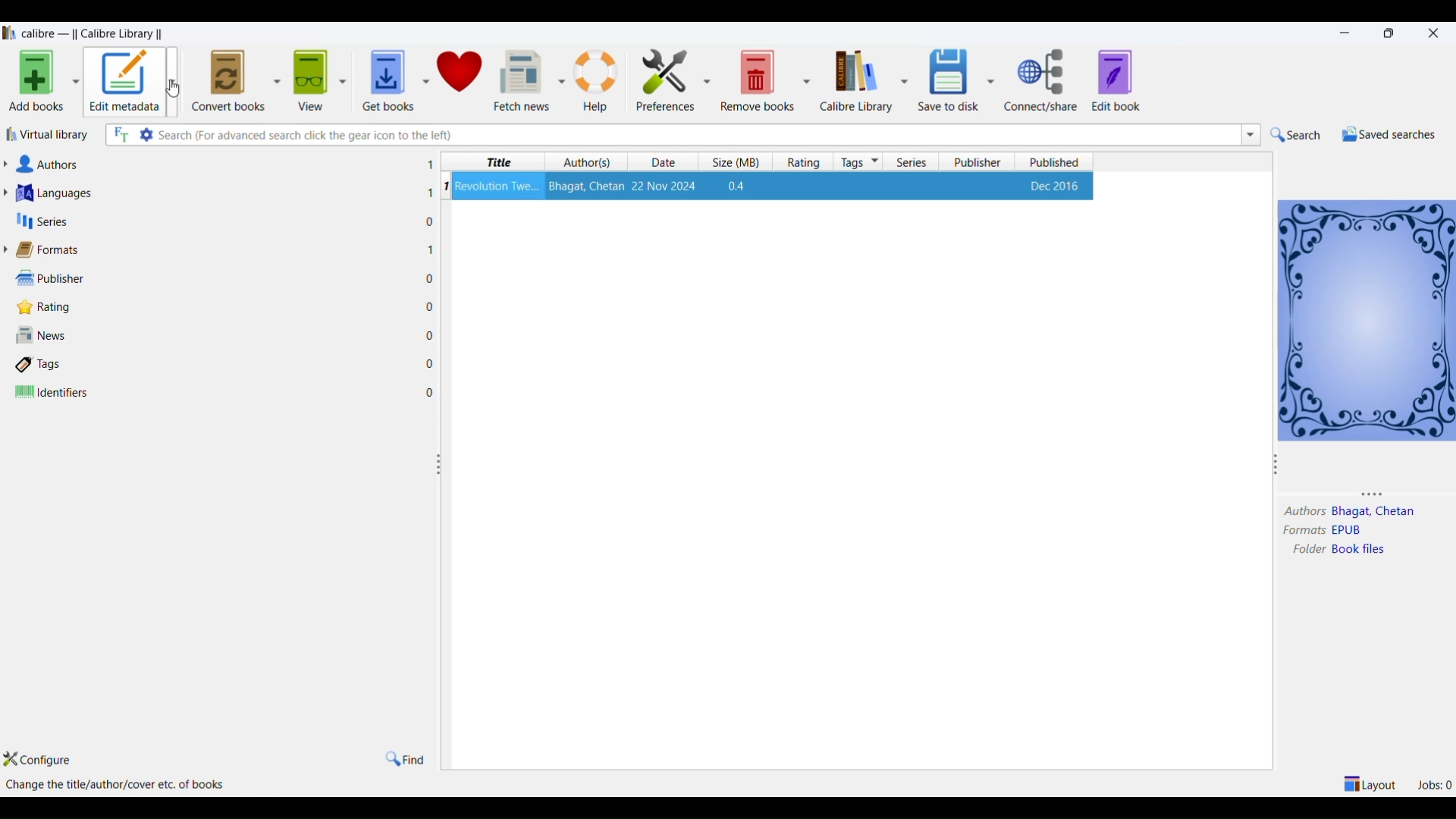 Image resolution: width=1456 pixels, height=819 pixels. What do you see at coordinates (431, 249) in the screenshot?
I see `1` at bounding box center [431, 249].